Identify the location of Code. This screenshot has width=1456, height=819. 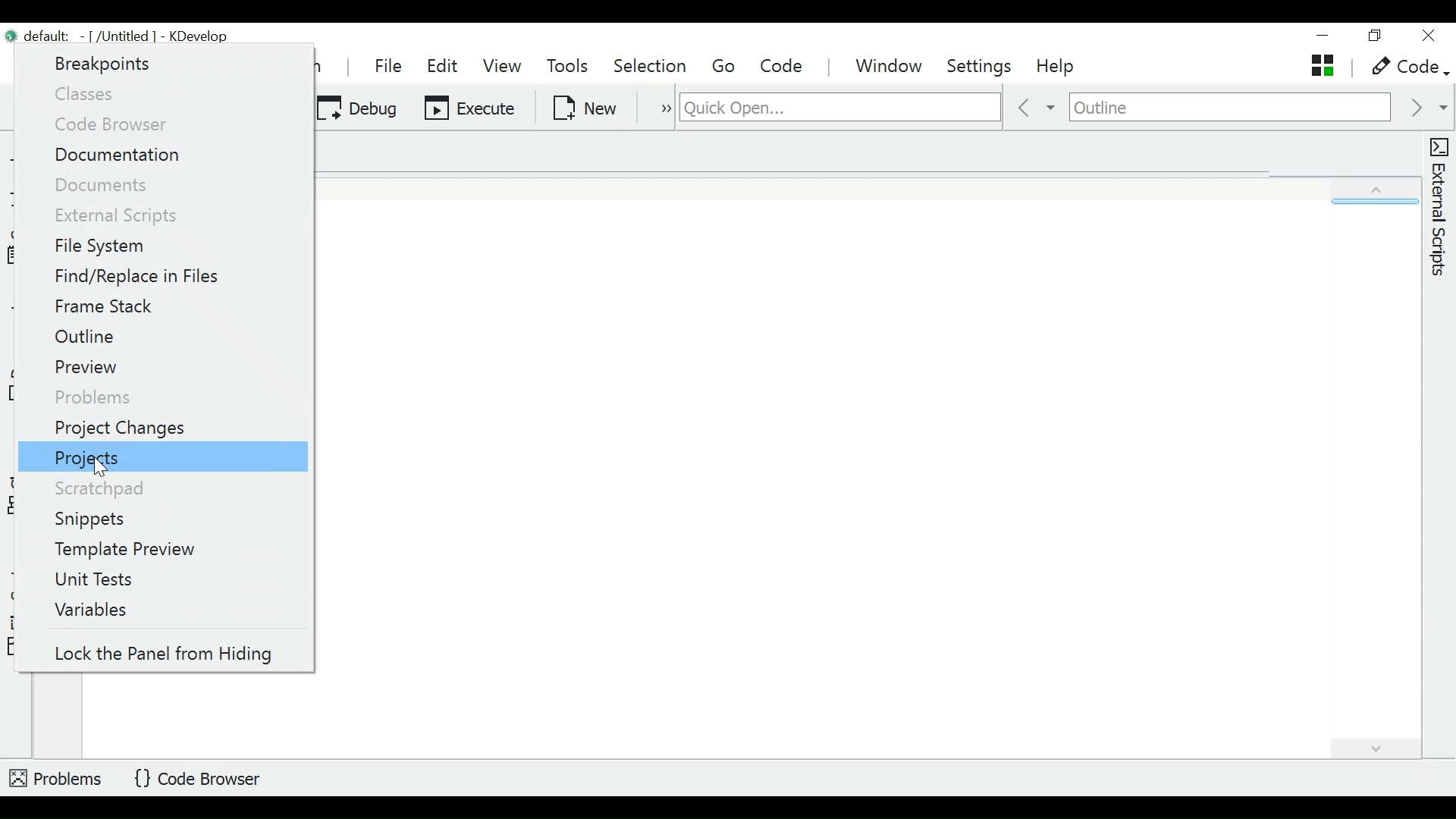
(786, 66).